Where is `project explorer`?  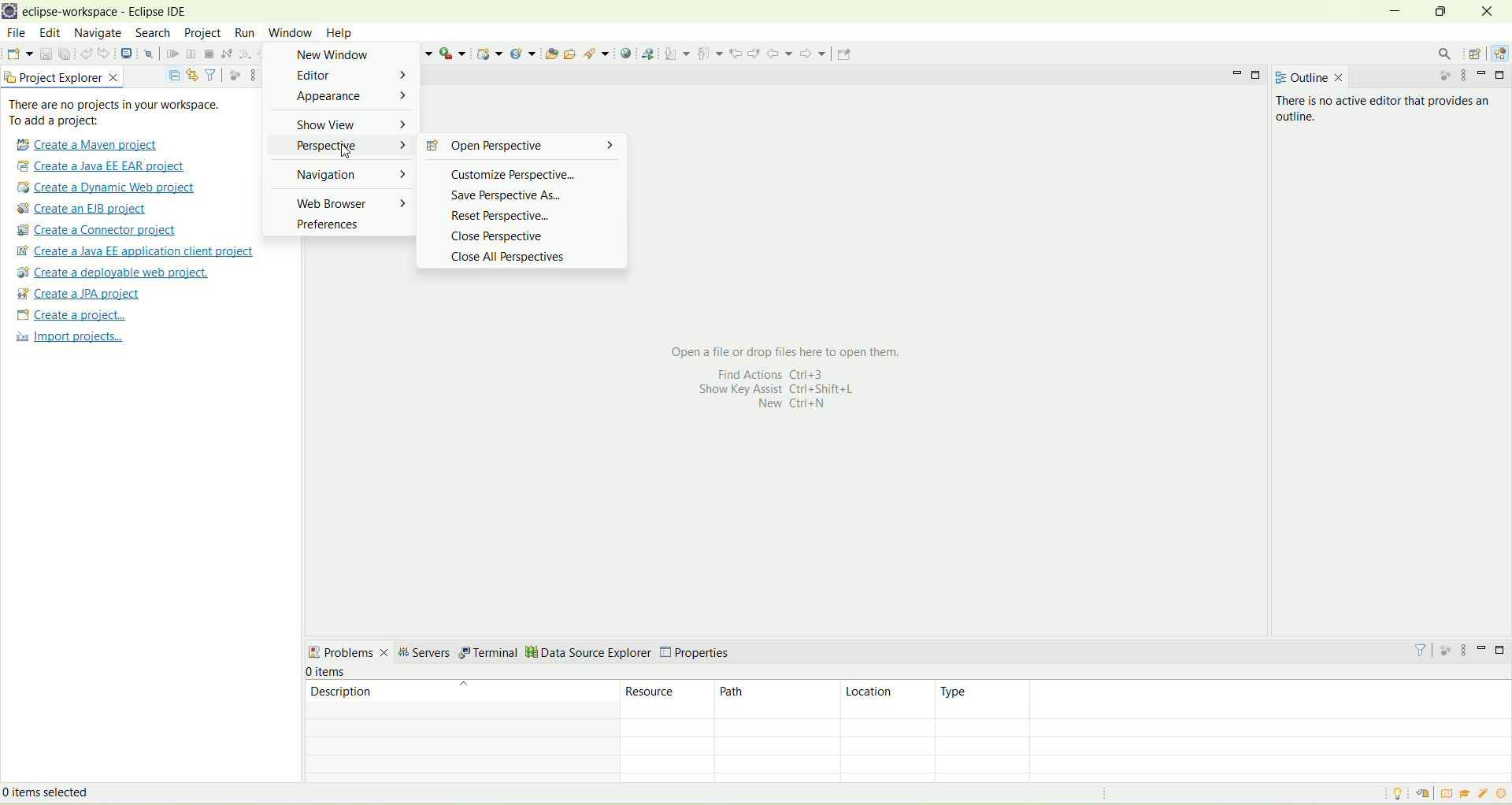 project explorer is located at coordinates (62, 77).